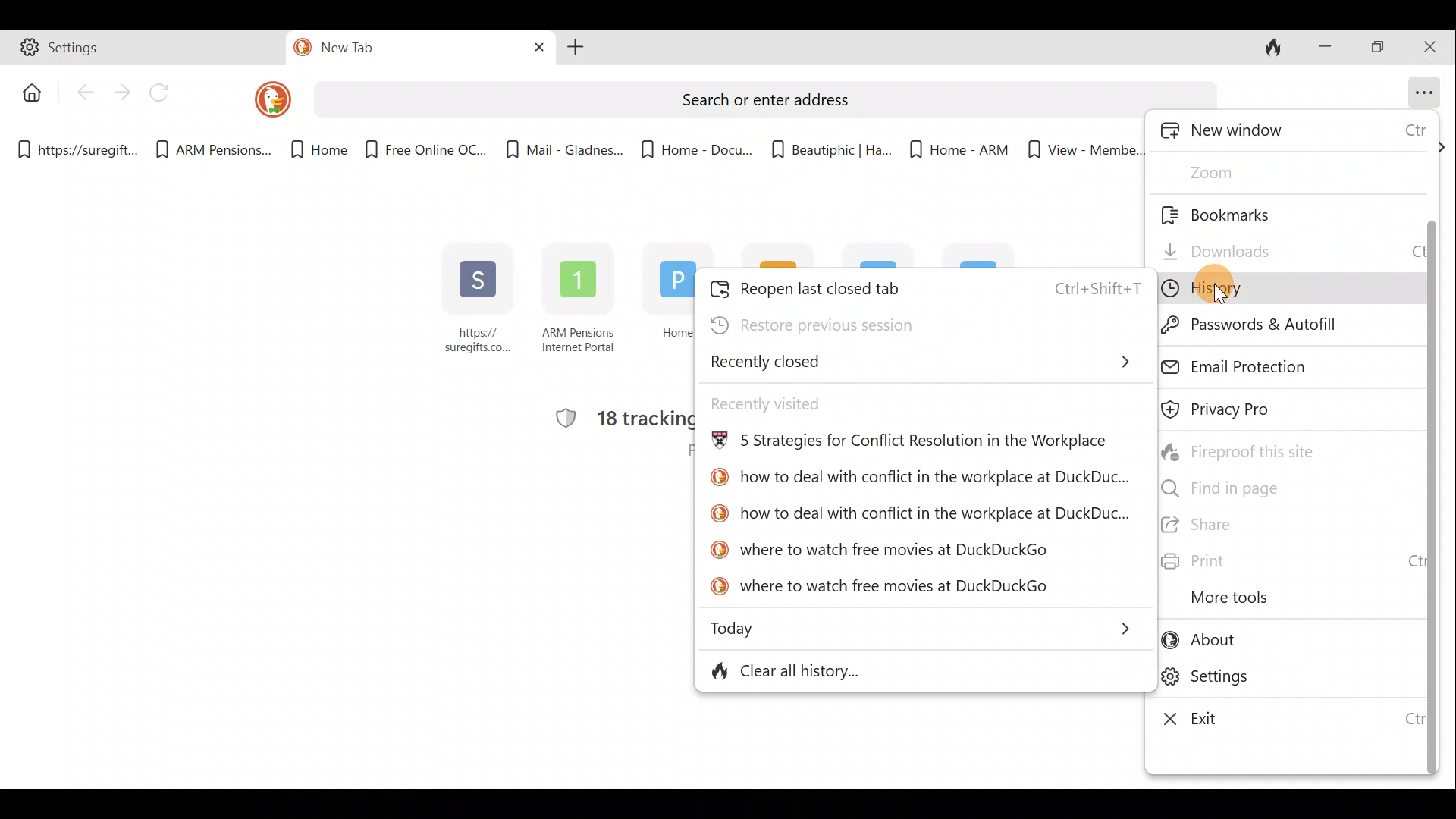 This screenshot has height=819, width=1456. What do you see at coordinates (926, 626) in the screenshot?
I see `Today` at bounding box center [926, 626].